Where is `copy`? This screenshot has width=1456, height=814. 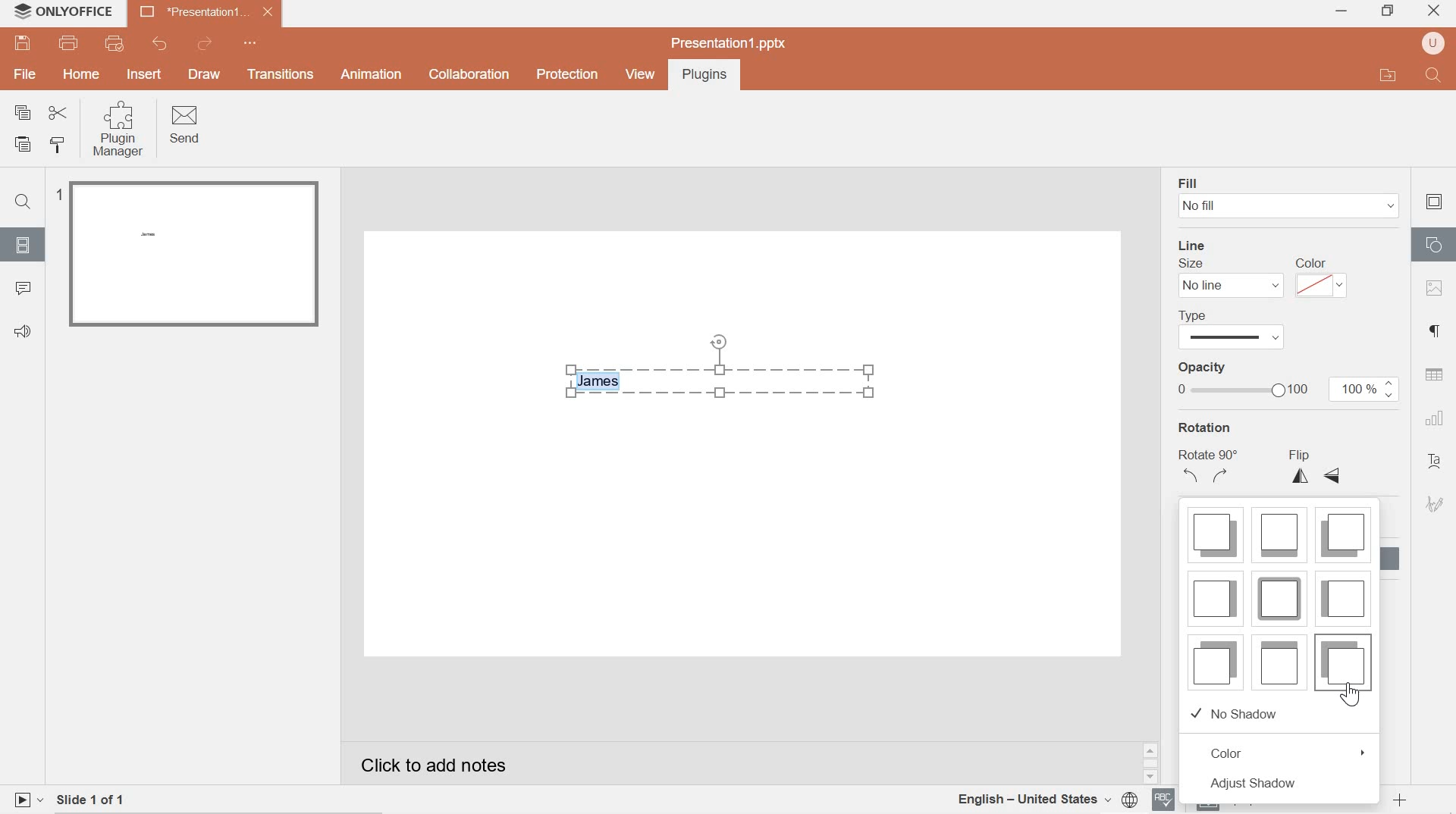
copy is located at coordinates (23, 112).